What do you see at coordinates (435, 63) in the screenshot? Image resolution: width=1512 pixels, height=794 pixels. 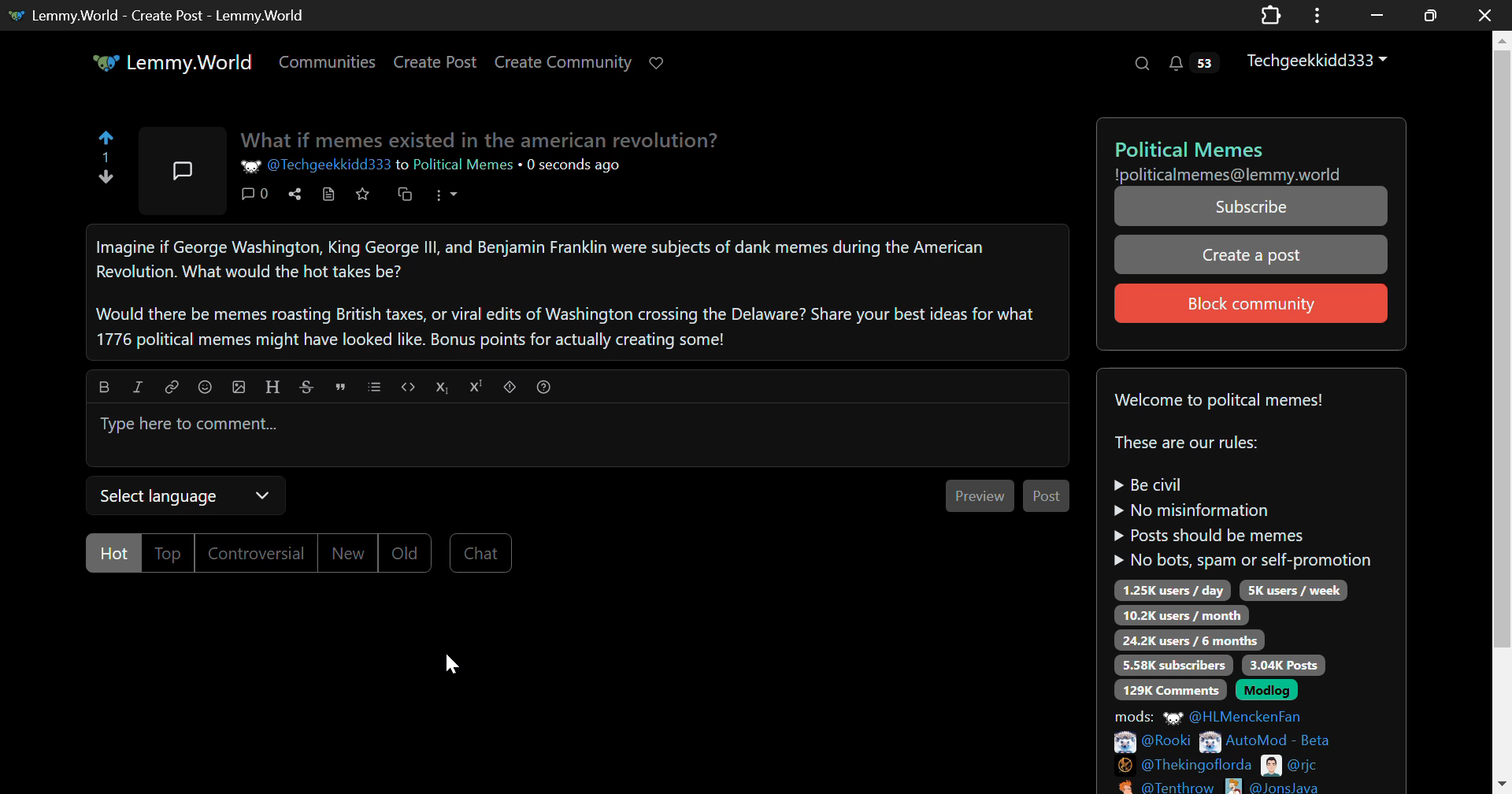 I see `Create Post Page Link` at bounding box center [435, 63].